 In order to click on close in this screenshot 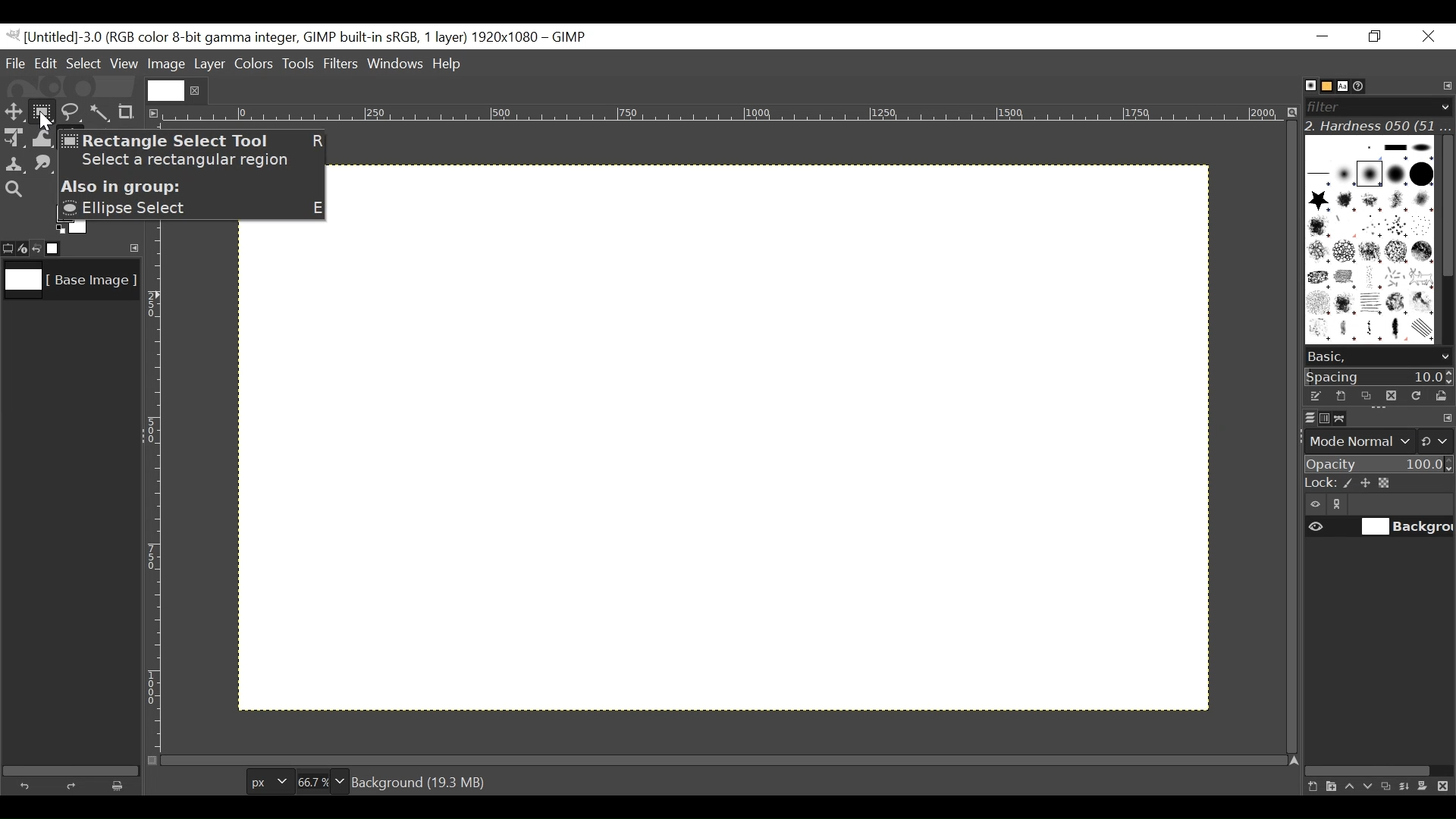, I will do `click(197, 90)`.